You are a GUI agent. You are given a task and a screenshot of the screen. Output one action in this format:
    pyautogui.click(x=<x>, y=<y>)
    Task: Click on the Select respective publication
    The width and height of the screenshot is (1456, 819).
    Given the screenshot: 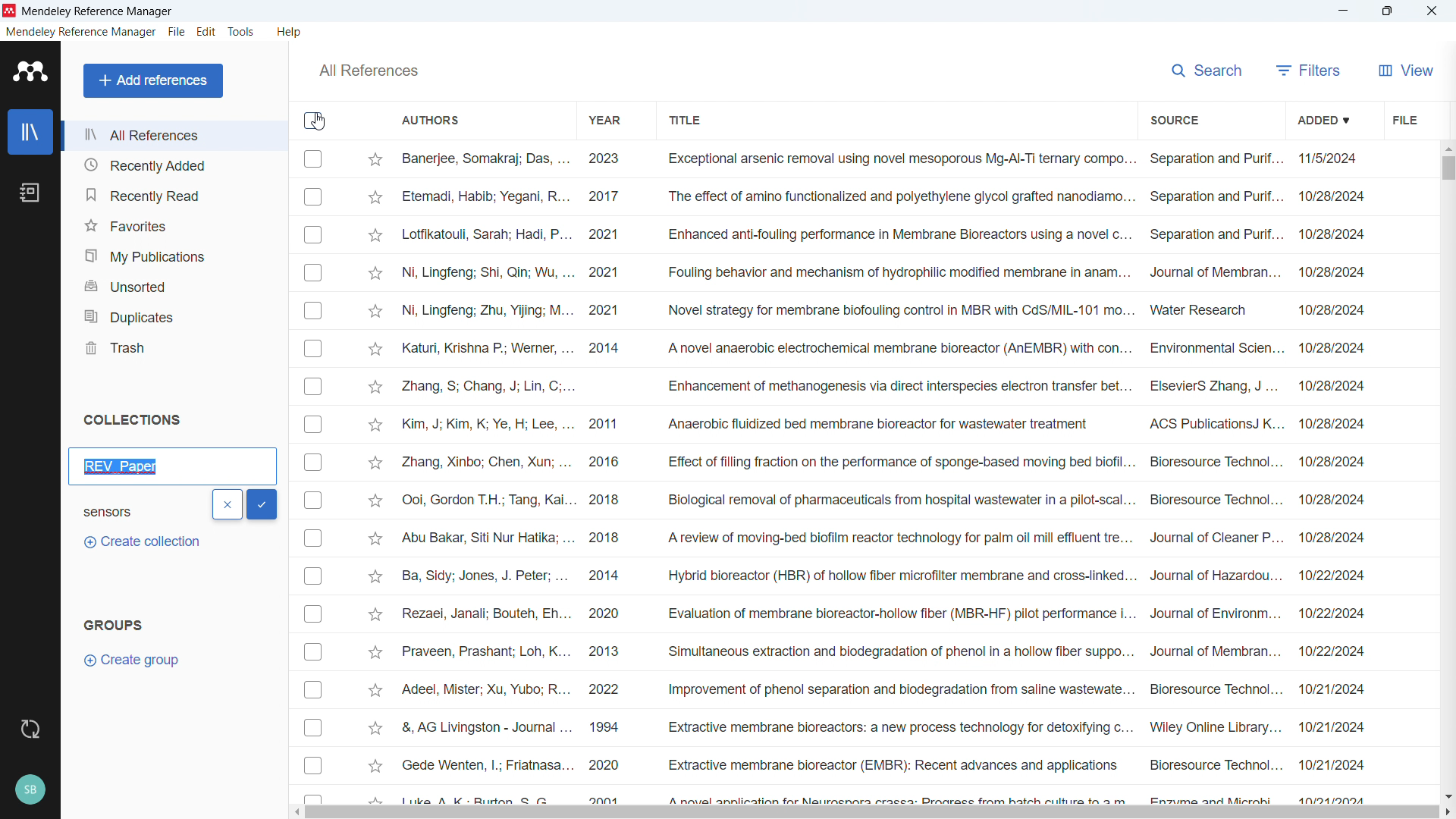 What is the action you would take?
    pyautogui.click(x=313, y=349)
    